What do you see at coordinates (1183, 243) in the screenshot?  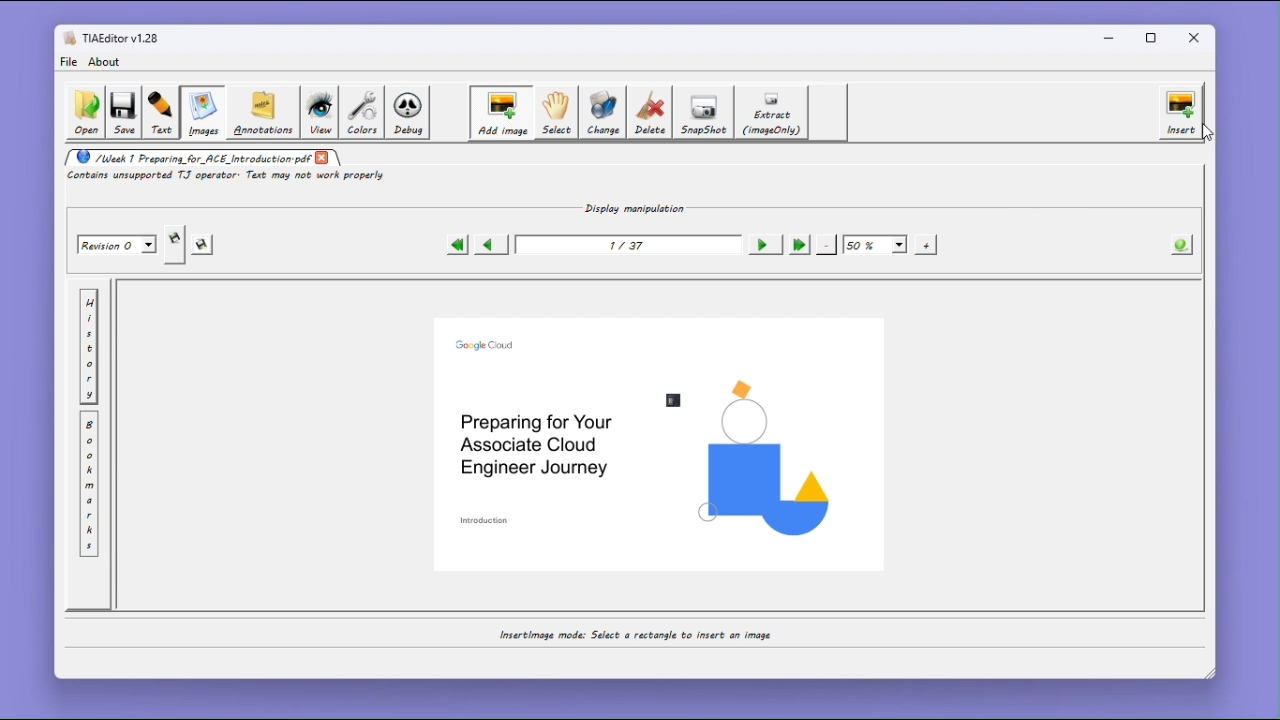 I see `The information About the PDF opened` at bounding box center [1183, 243].